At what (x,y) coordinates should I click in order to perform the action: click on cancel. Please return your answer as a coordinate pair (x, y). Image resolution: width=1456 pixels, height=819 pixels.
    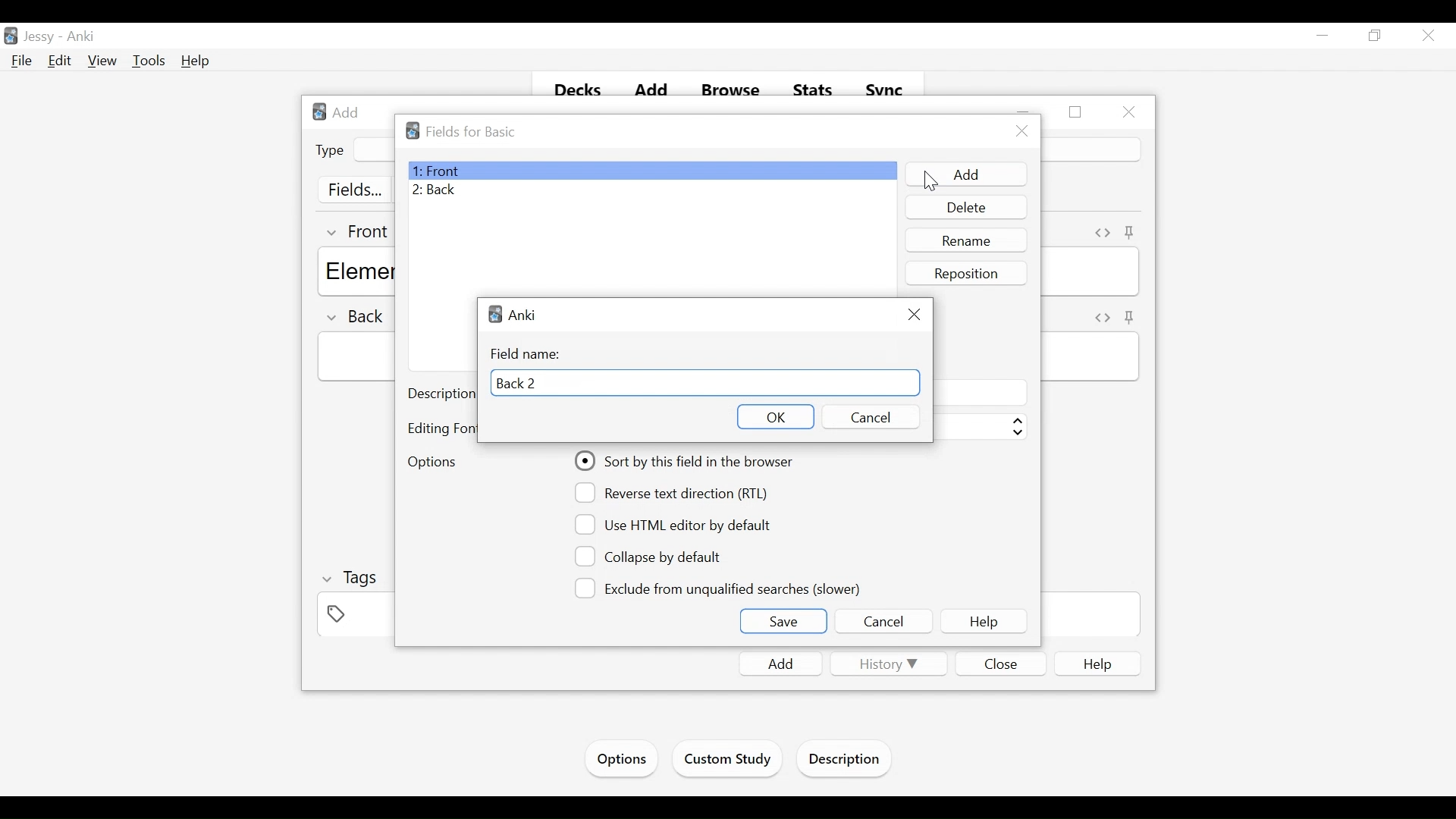
    Looking at the image, I should click on (875, 417).